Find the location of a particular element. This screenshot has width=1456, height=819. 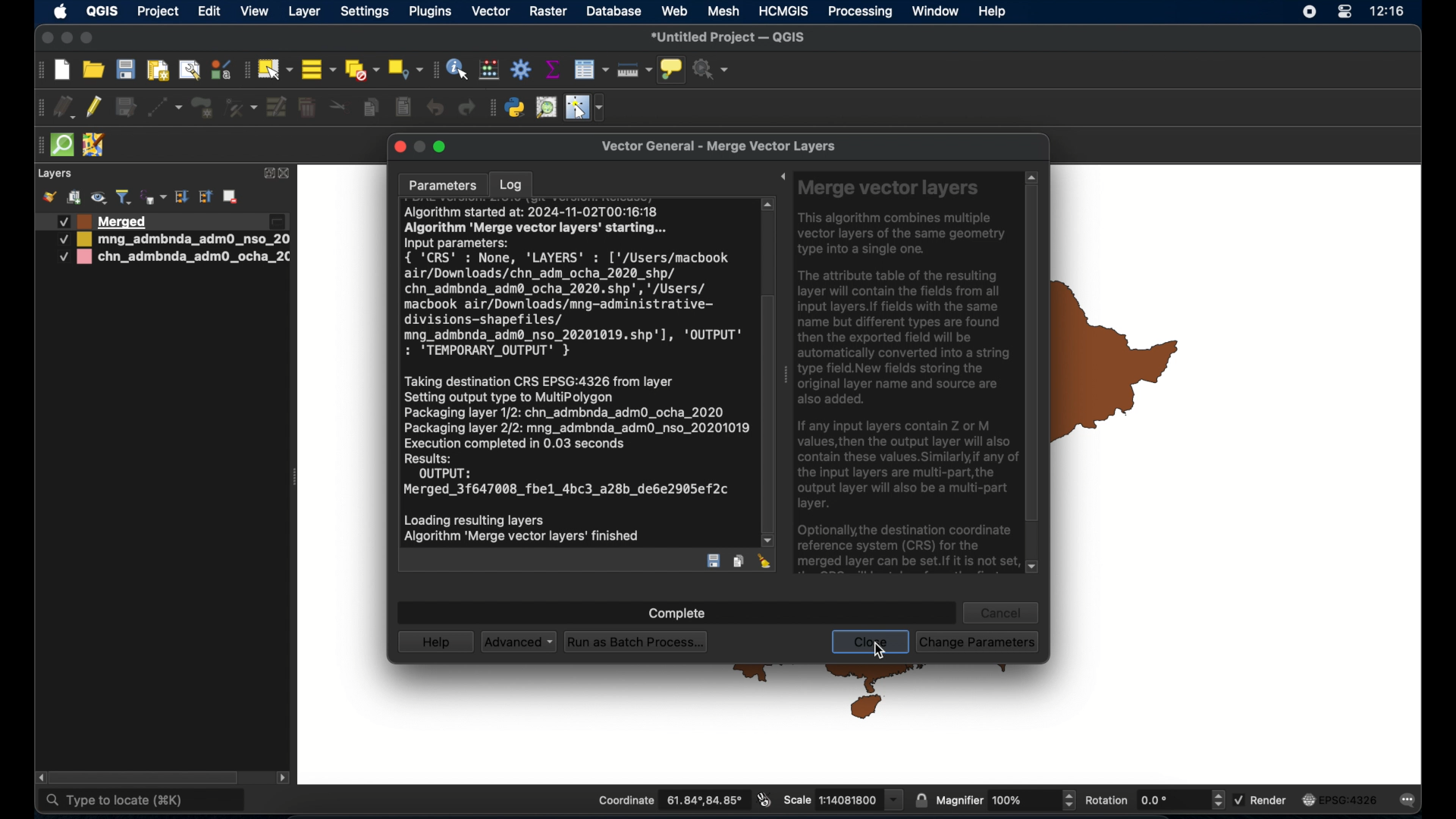

quick som is located at coordinates (61, 146).